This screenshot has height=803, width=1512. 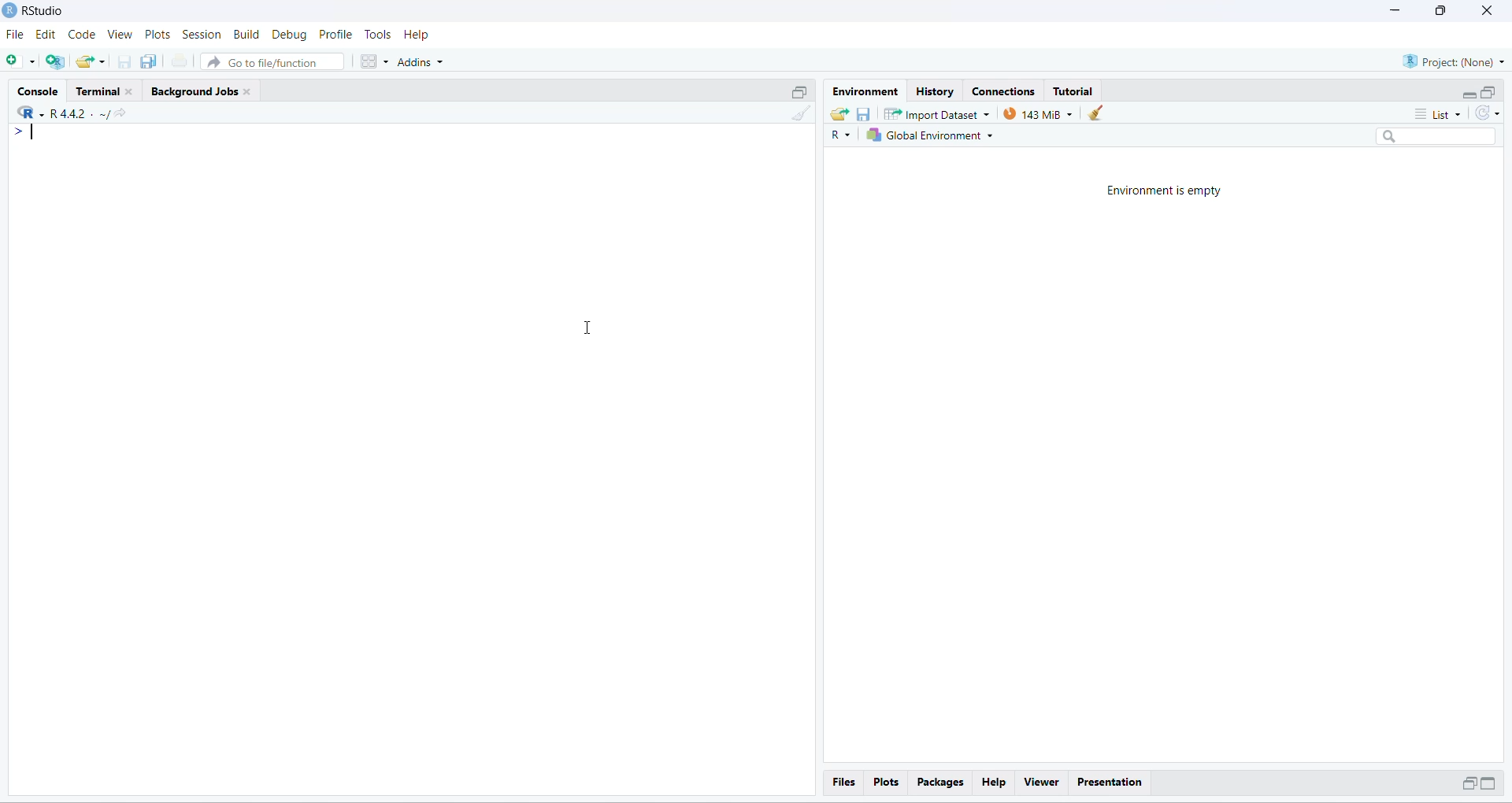 I want to click on file, so click(x=16, y=35).